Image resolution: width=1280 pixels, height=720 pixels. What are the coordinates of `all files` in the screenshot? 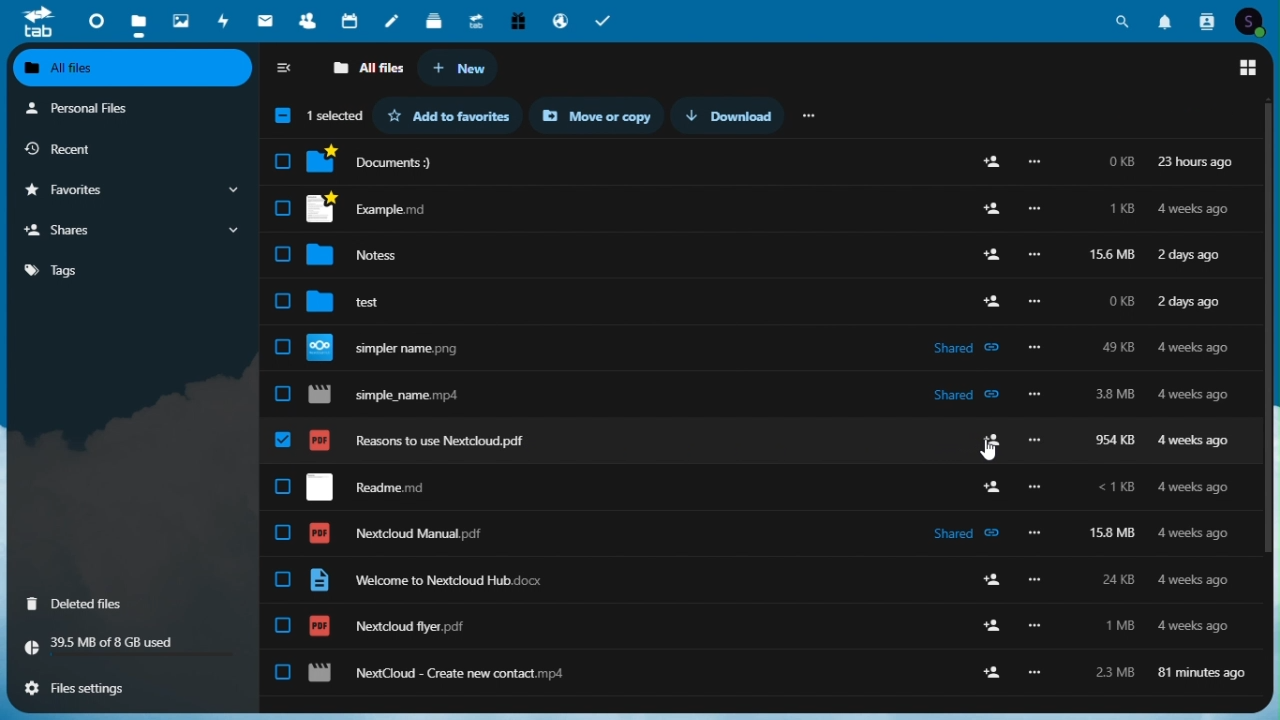 It's located at (134, 68).